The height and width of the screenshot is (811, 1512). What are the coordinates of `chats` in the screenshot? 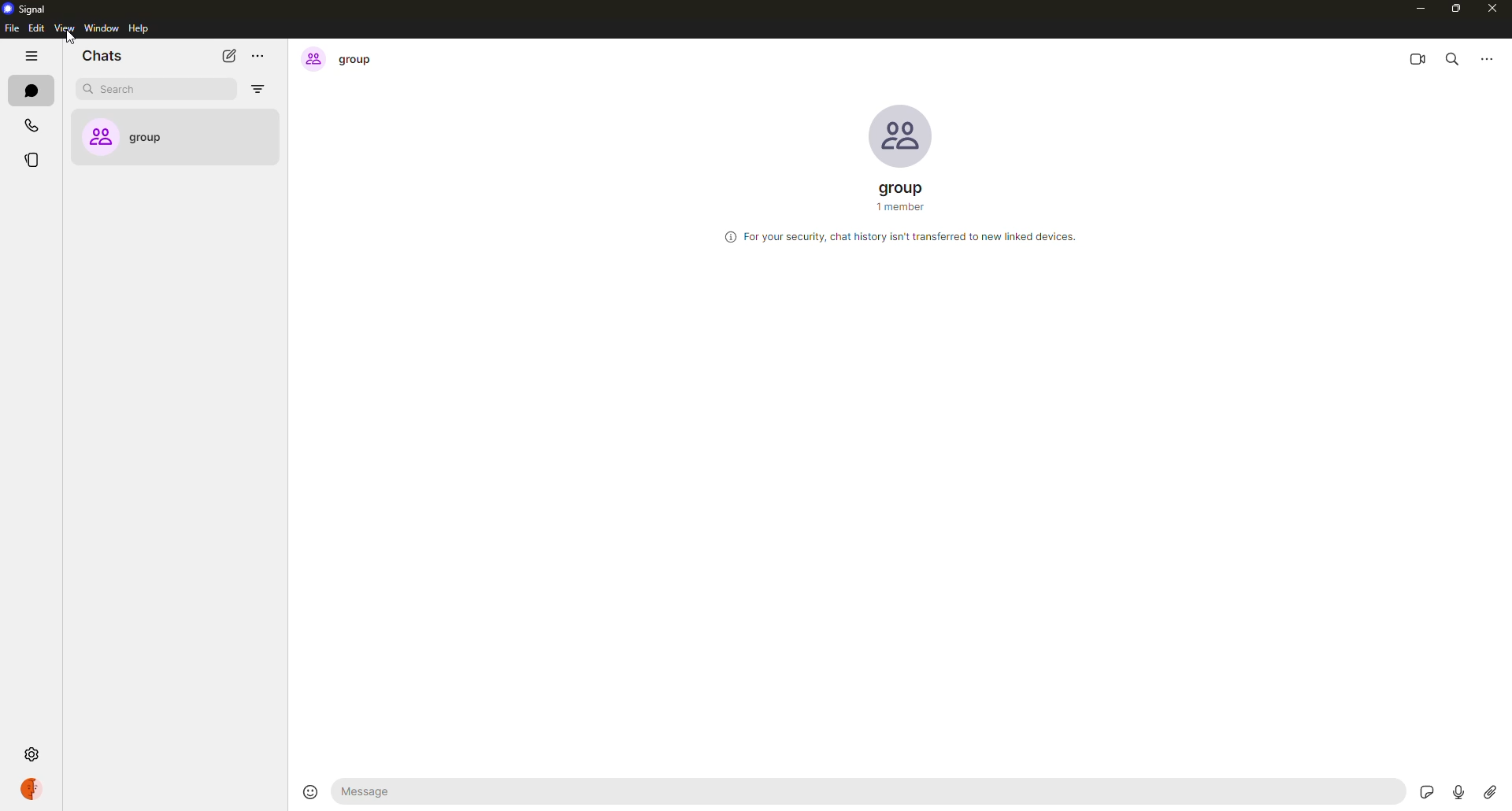 It's located at (107, 56).